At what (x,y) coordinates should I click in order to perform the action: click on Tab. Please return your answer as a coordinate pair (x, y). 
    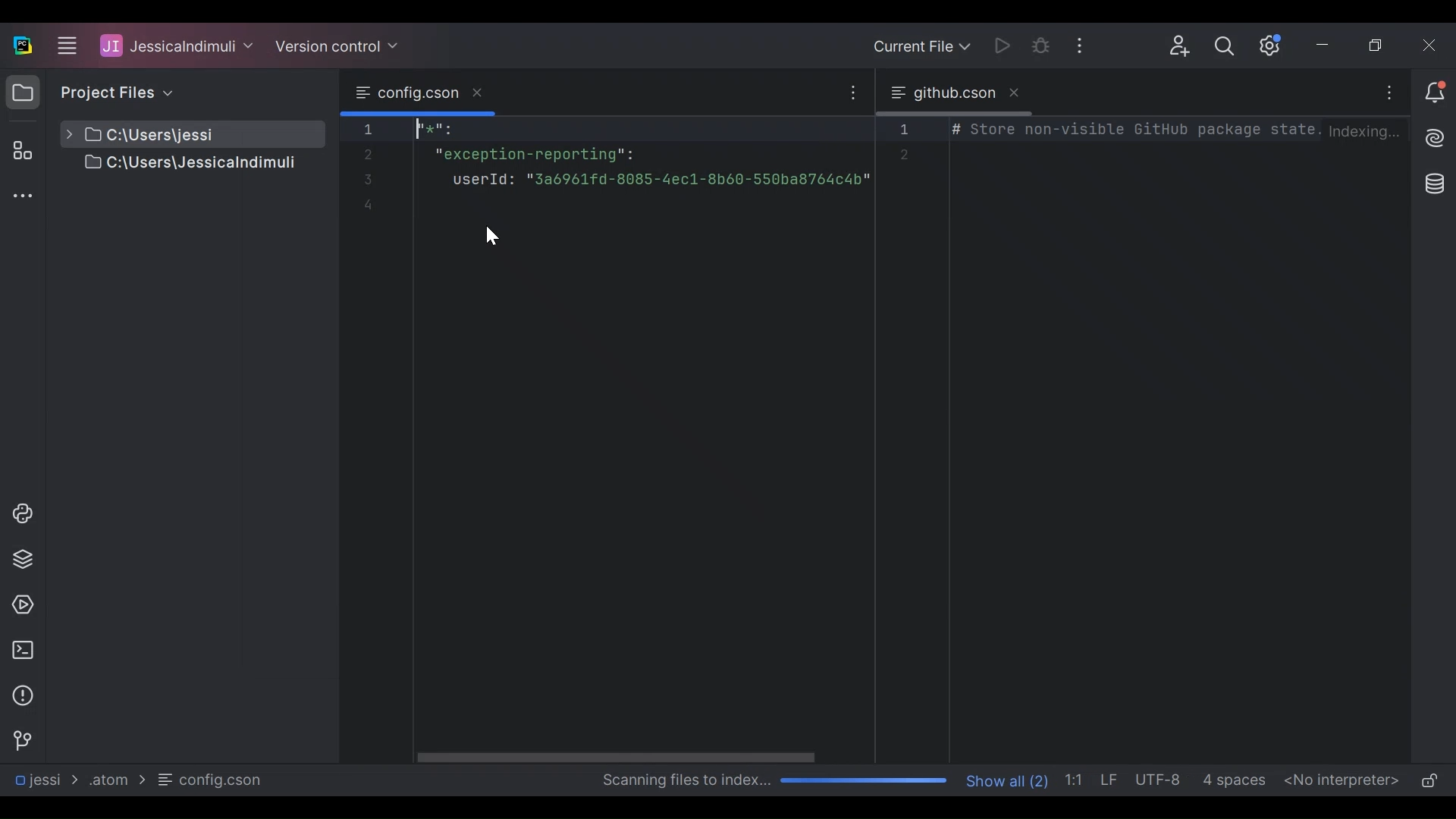
    Looking at the image, I should click on (955, 94).